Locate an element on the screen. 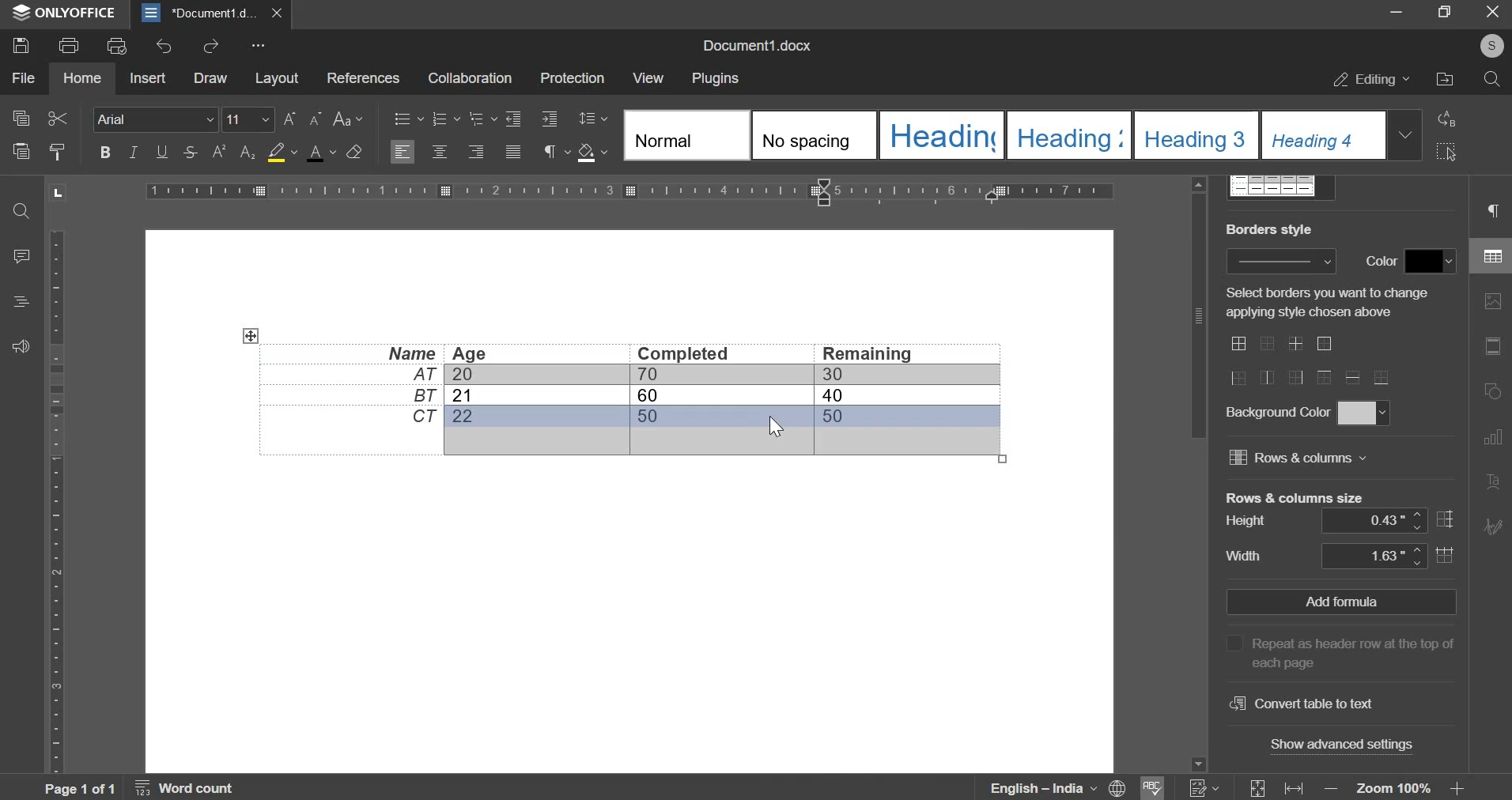 The width and height of the screenshot is (1512, 800). bullets is located at coordinates (408, 117).